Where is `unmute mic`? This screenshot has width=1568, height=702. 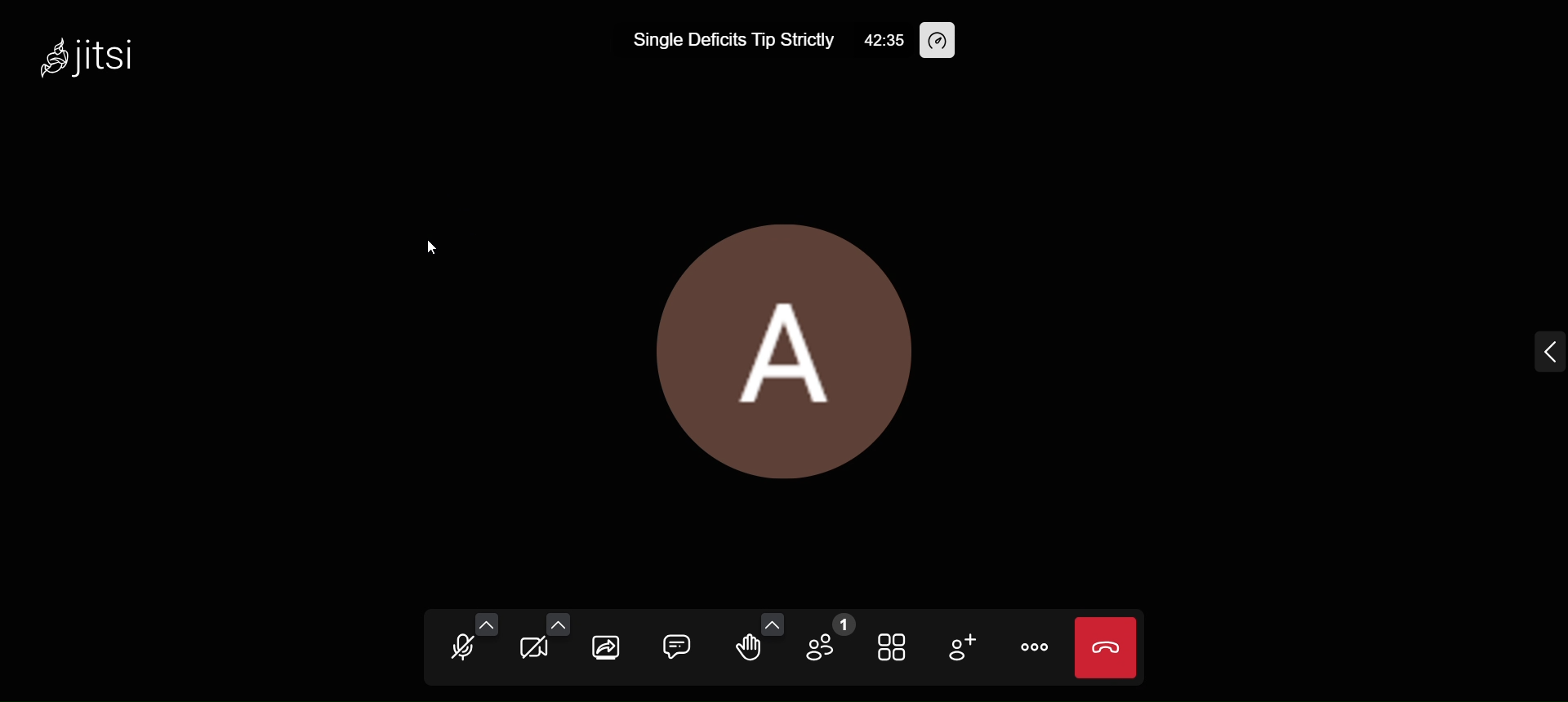 unmute mic is located at coordinates (457, 650).